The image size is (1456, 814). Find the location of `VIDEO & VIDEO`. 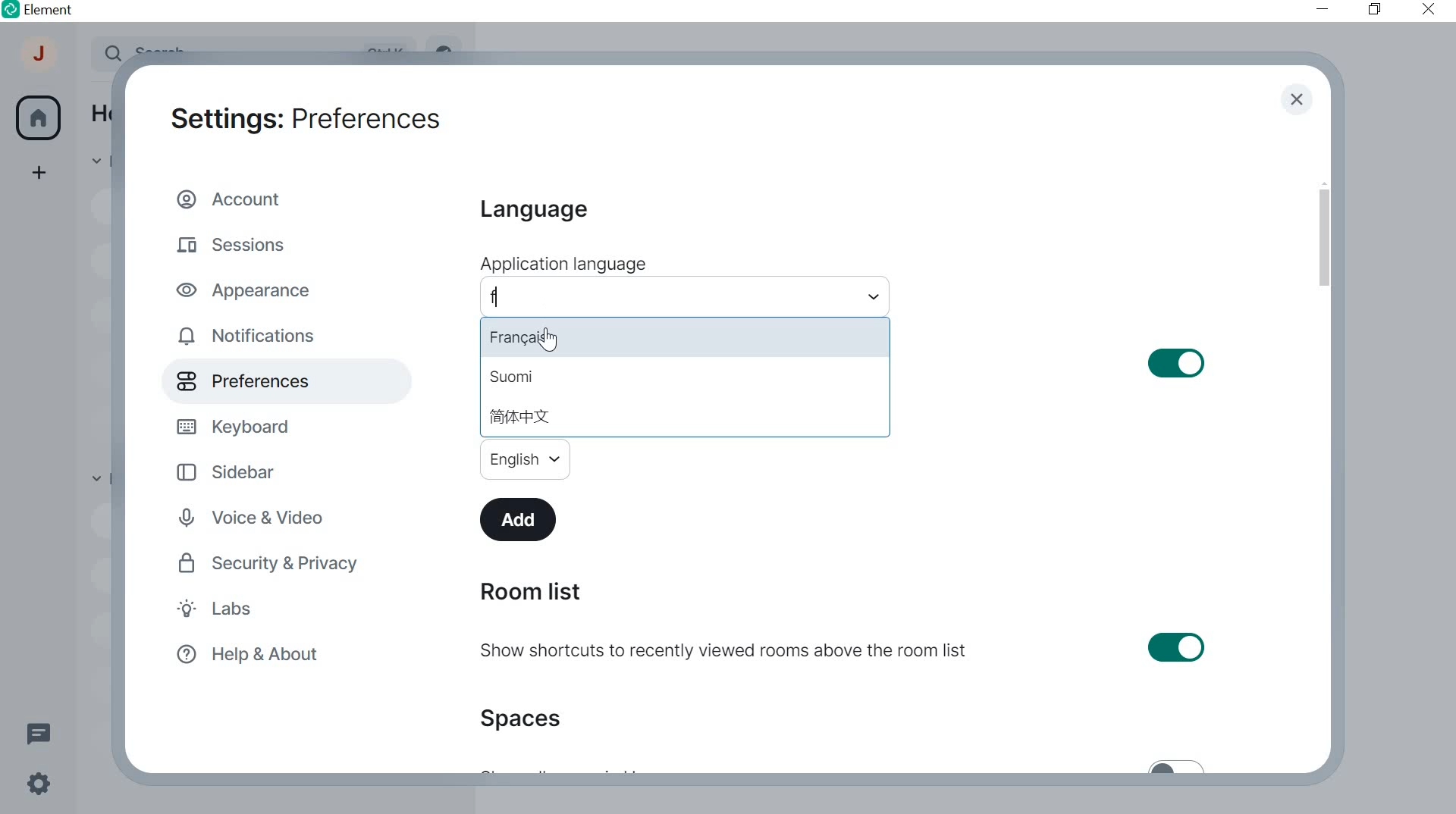

VIDEO & VIDEO is located at coordinates (265, 519).